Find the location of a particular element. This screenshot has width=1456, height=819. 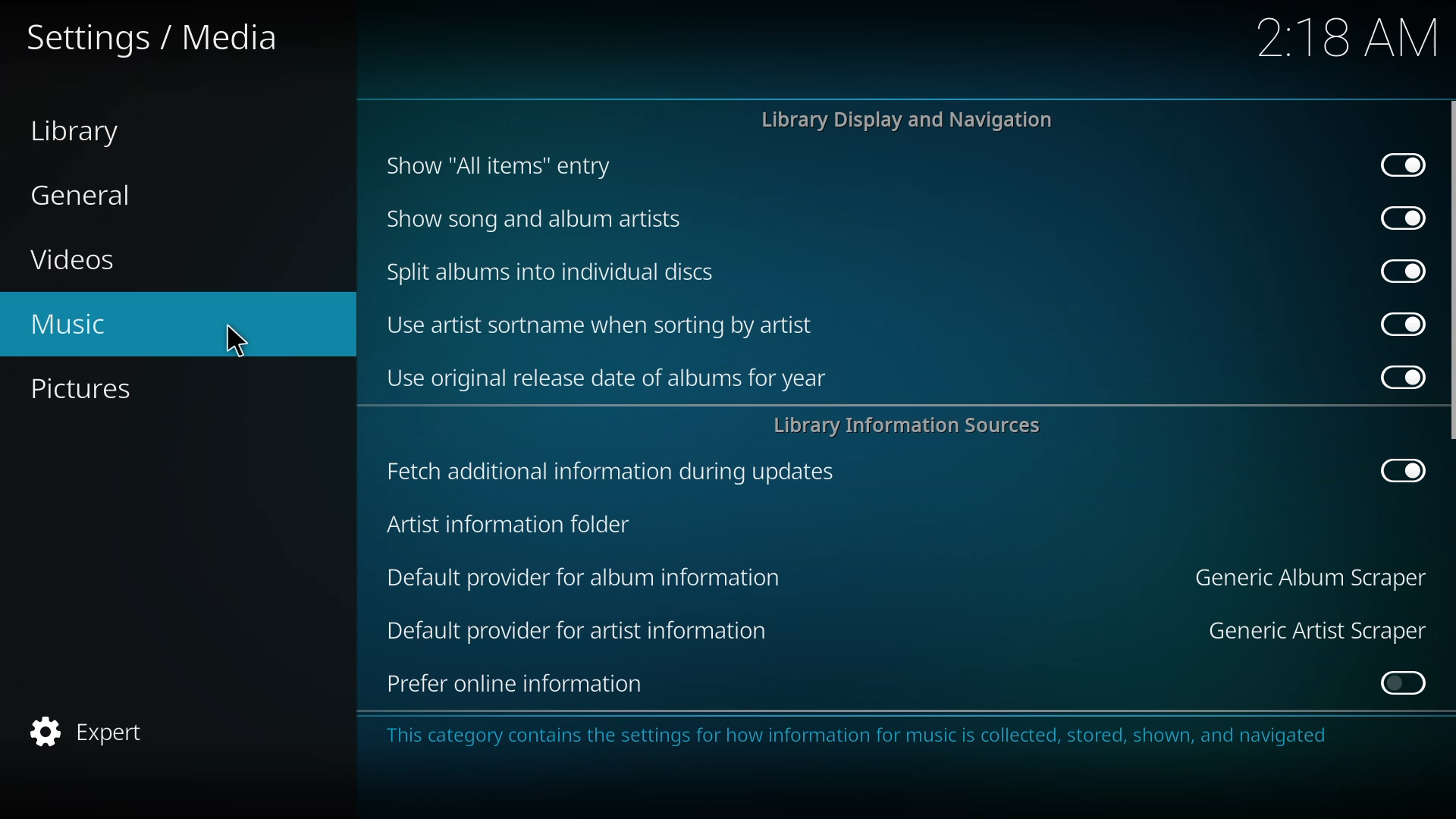

pictures is located at coordinates (92, 391).